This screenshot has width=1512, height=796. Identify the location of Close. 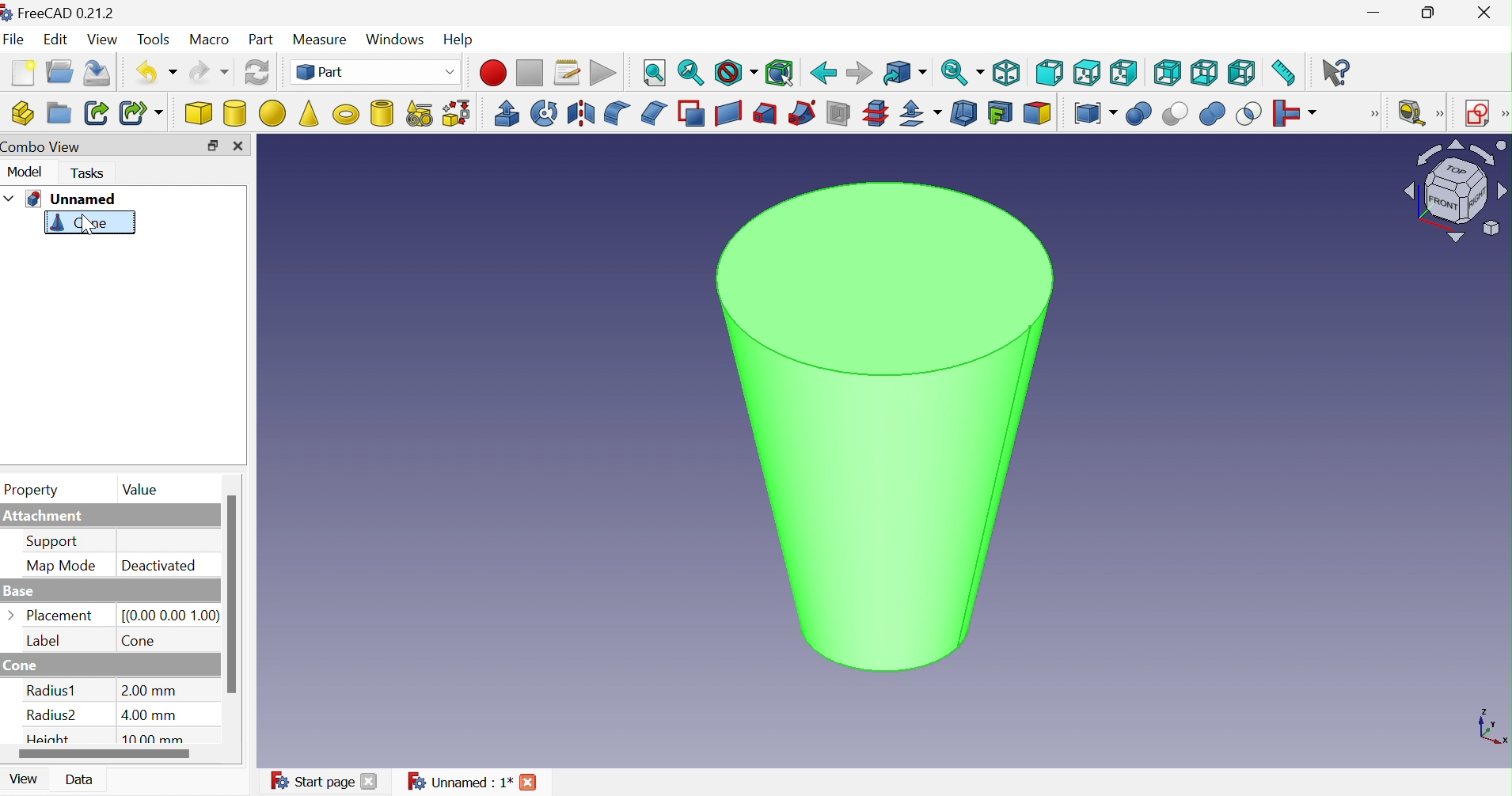
(368, 783).